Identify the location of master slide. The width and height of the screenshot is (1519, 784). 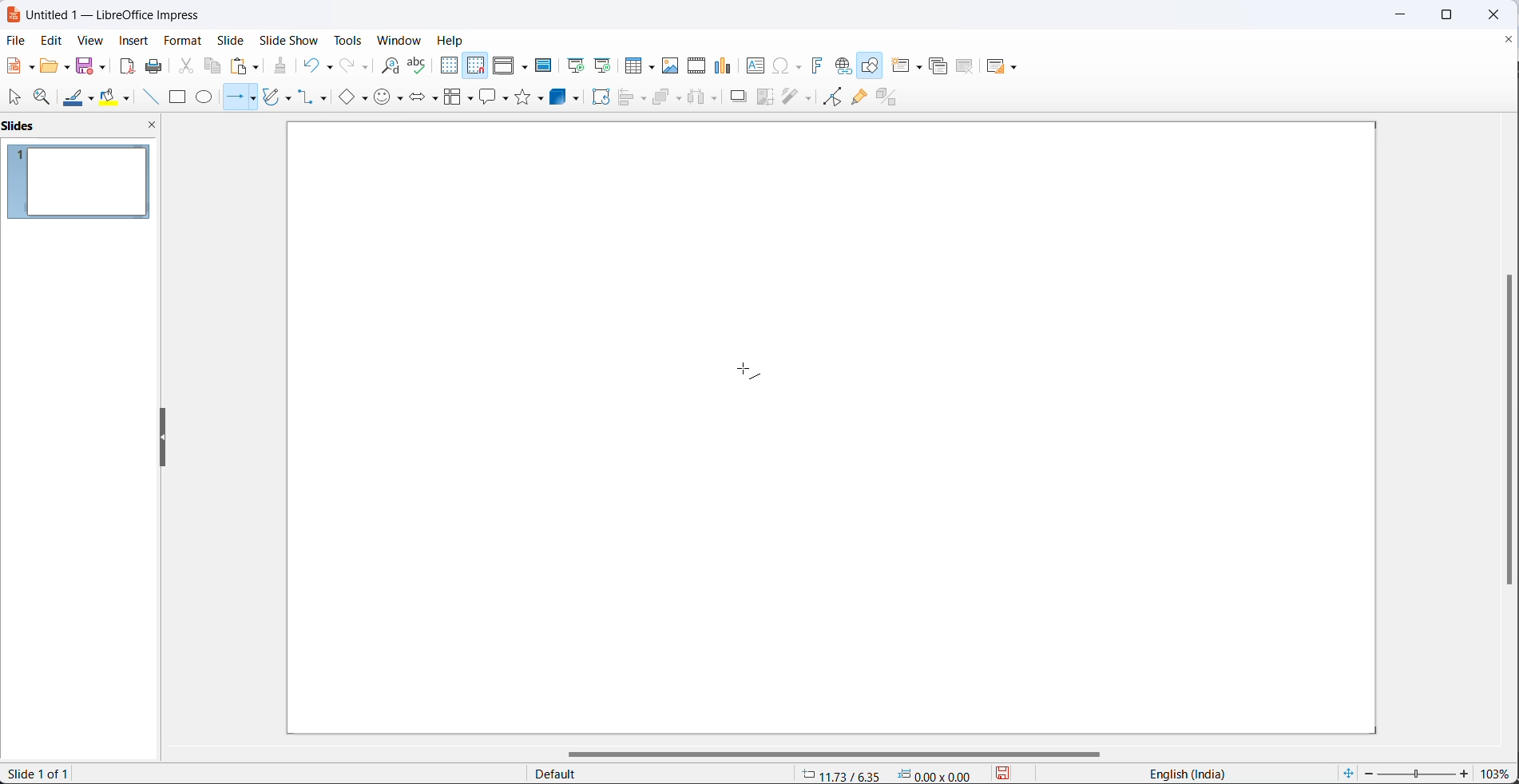
(545, 66).